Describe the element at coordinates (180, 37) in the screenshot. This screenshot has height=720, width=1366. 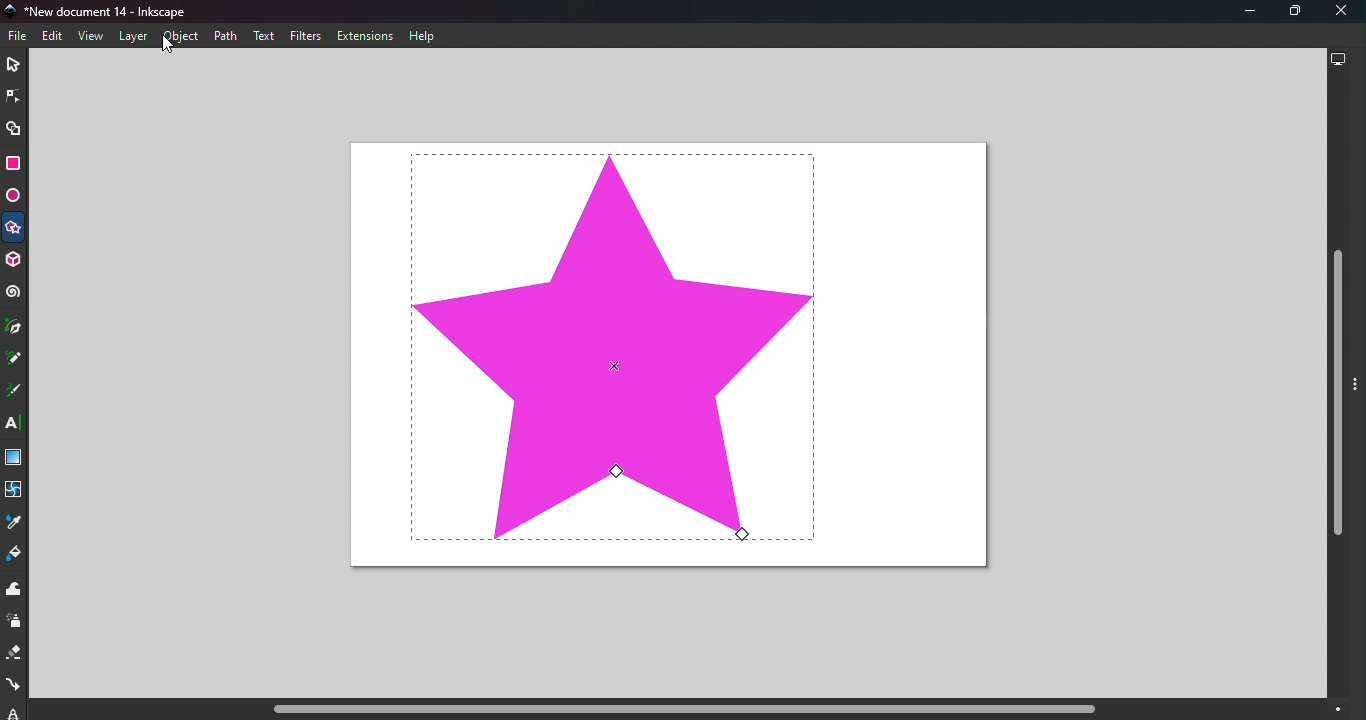
I see `Object` at that location.